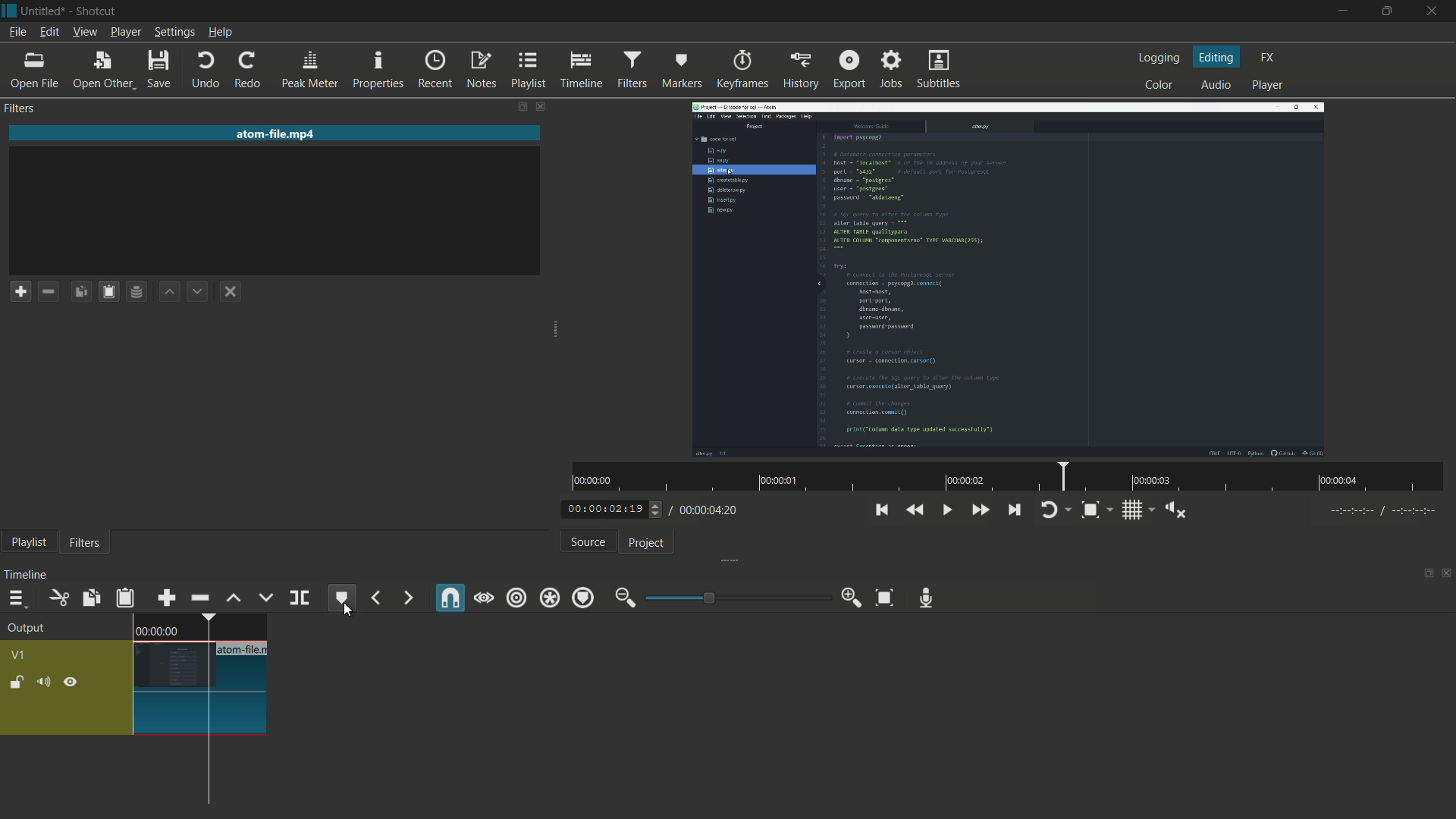 Image resolution: width=1456 pixels, height=819 pixels. I want to click on lock, so click(13, 682).